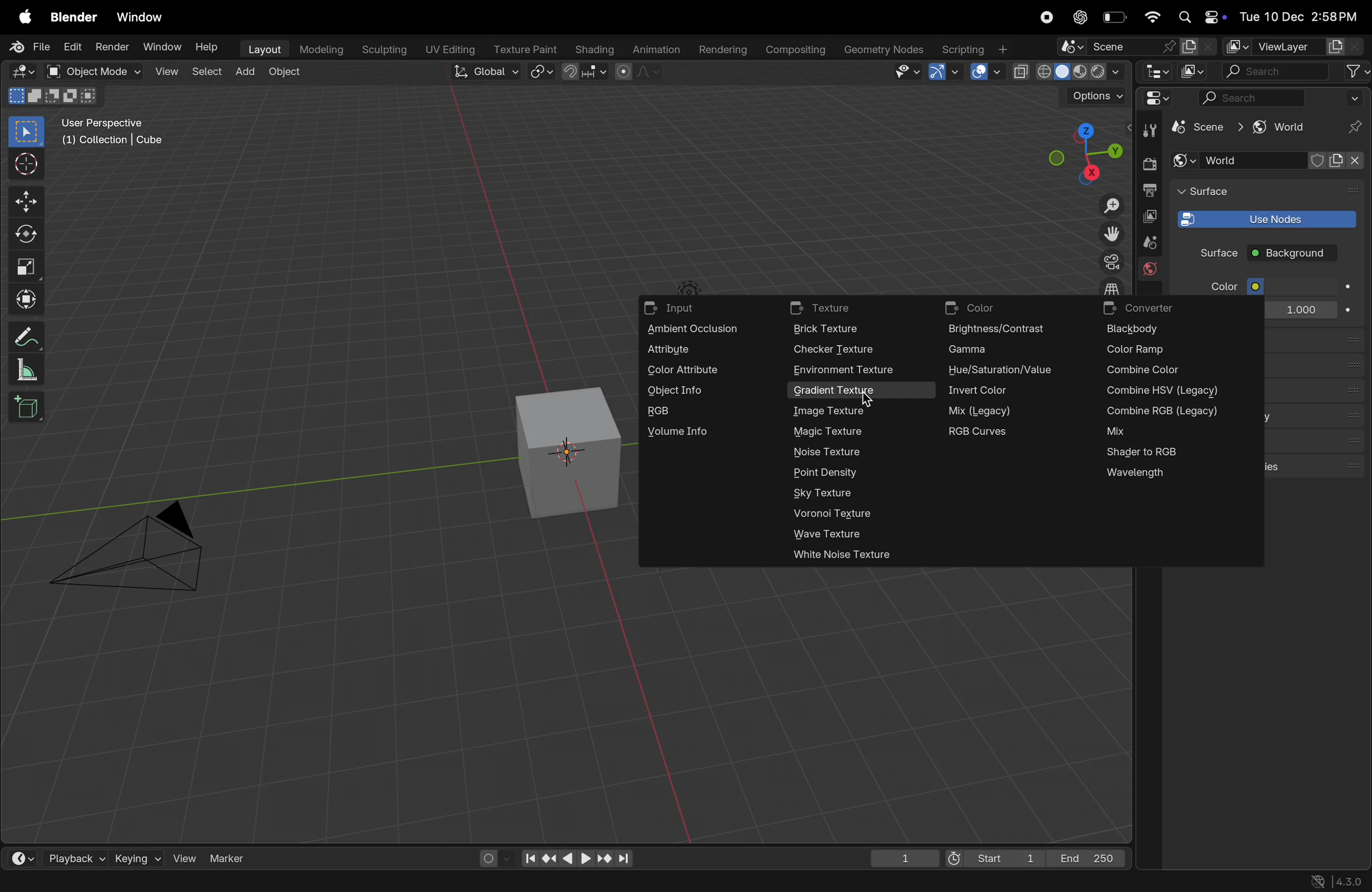 The height and width of the screenshot is (892, 1372). I want to click on input, so click(679, 309).